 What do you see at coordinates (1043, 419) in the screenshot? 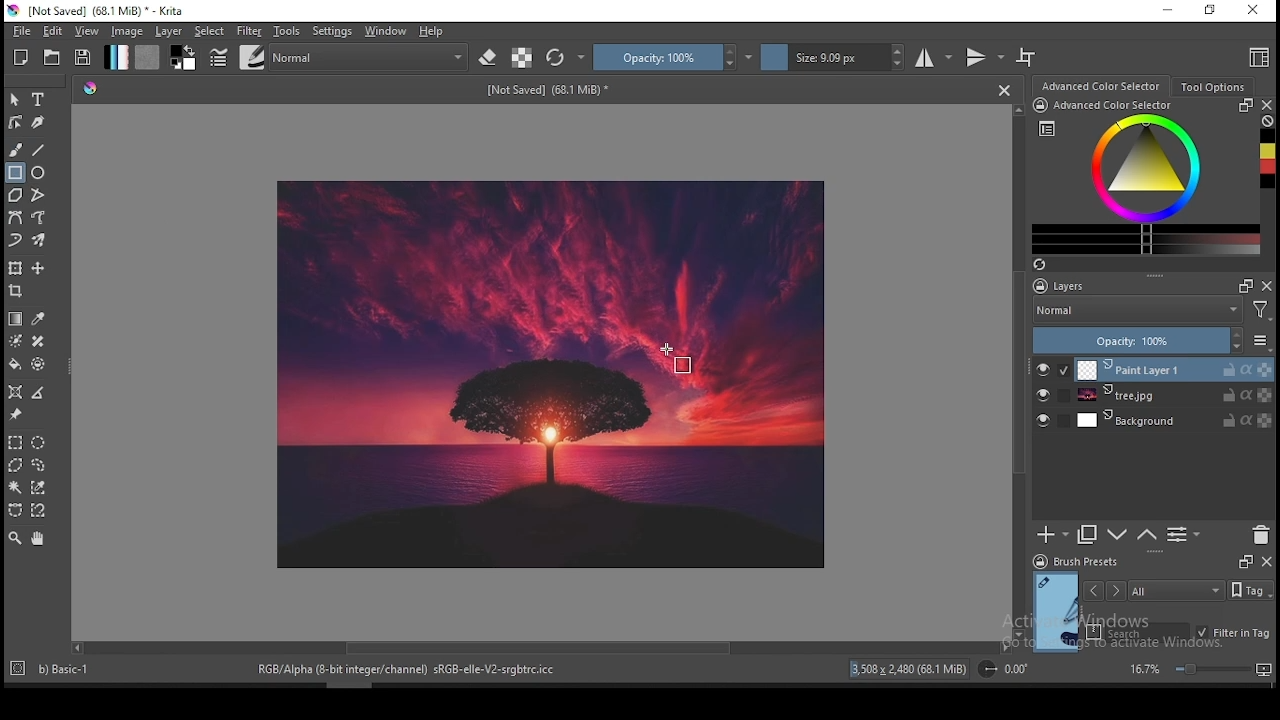
I see `layer visibility on/off` at bounding box center [1043, 419].